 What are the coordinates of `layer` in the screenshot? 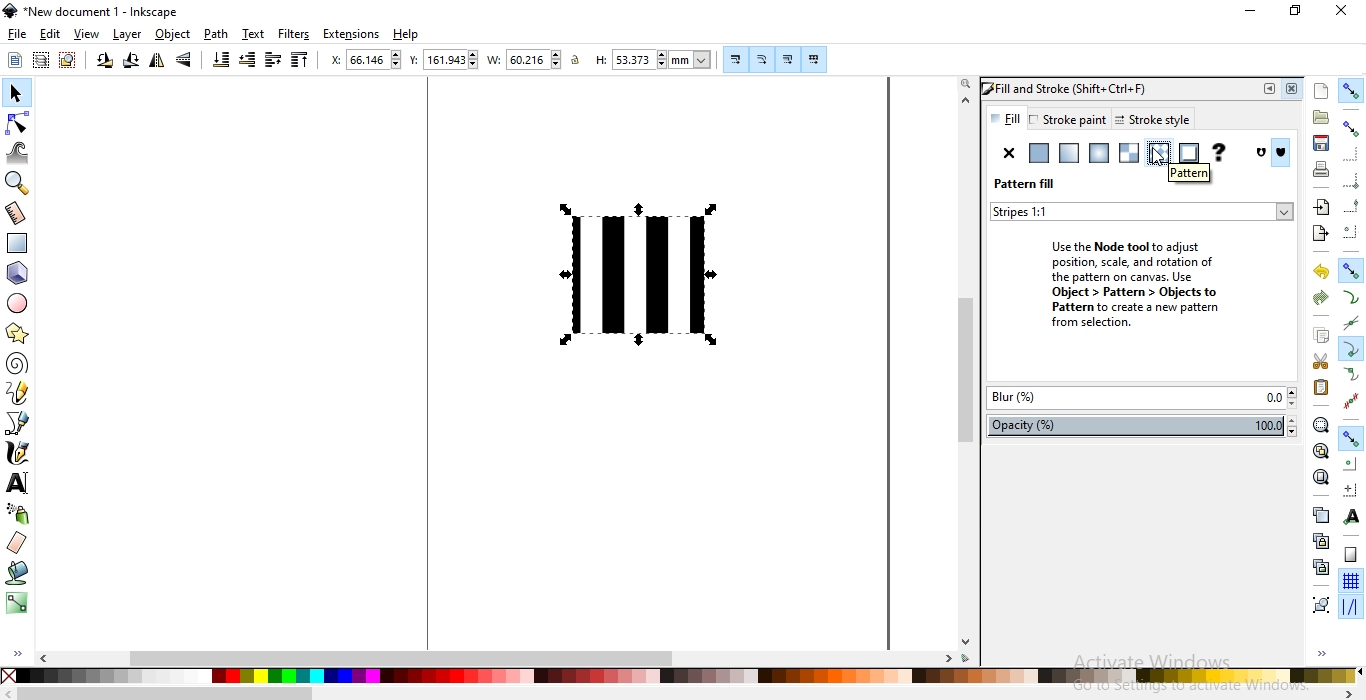 It's located at (129, 35).